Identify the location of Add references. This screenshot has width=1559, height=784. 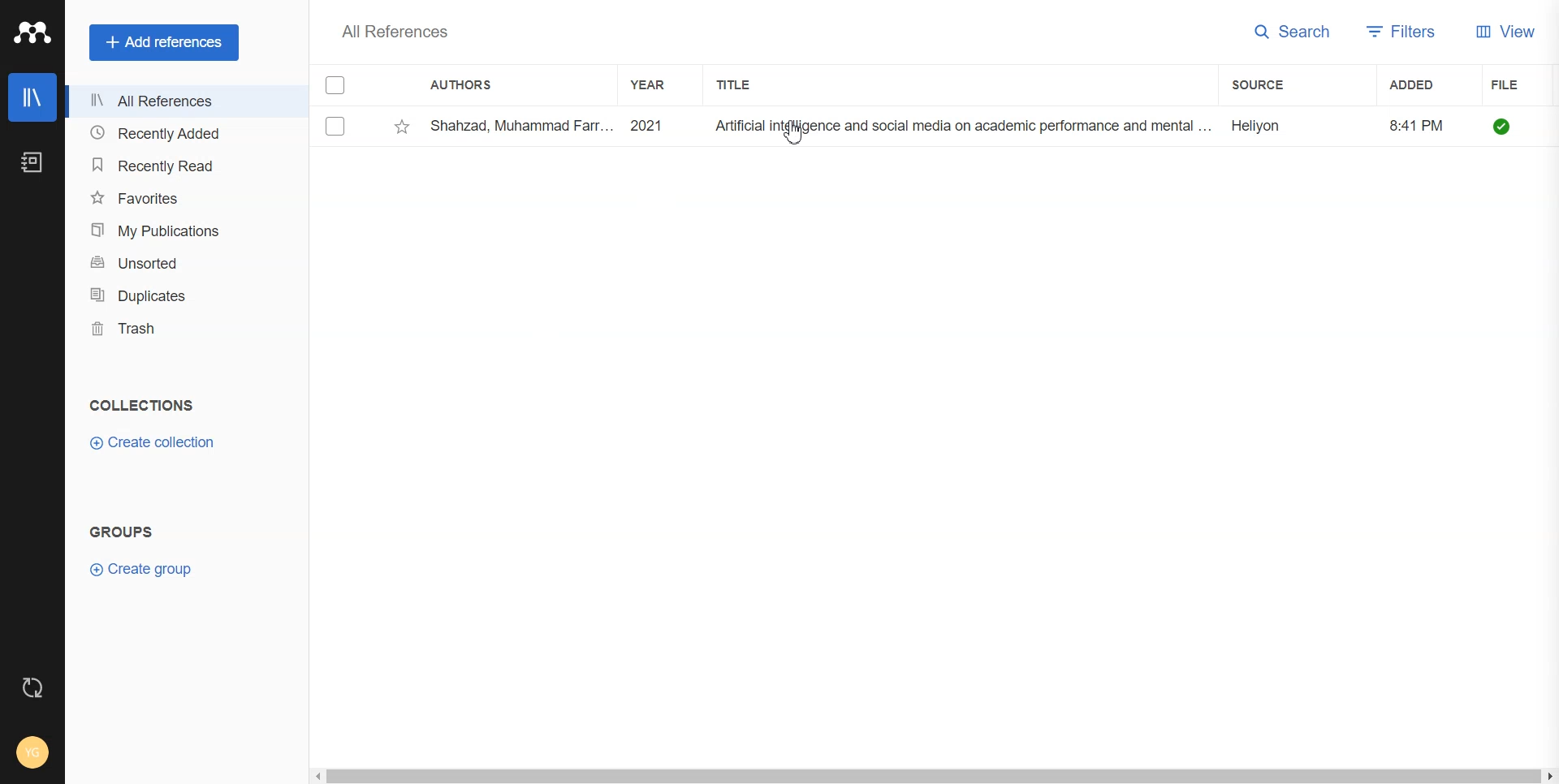
(164, 43).